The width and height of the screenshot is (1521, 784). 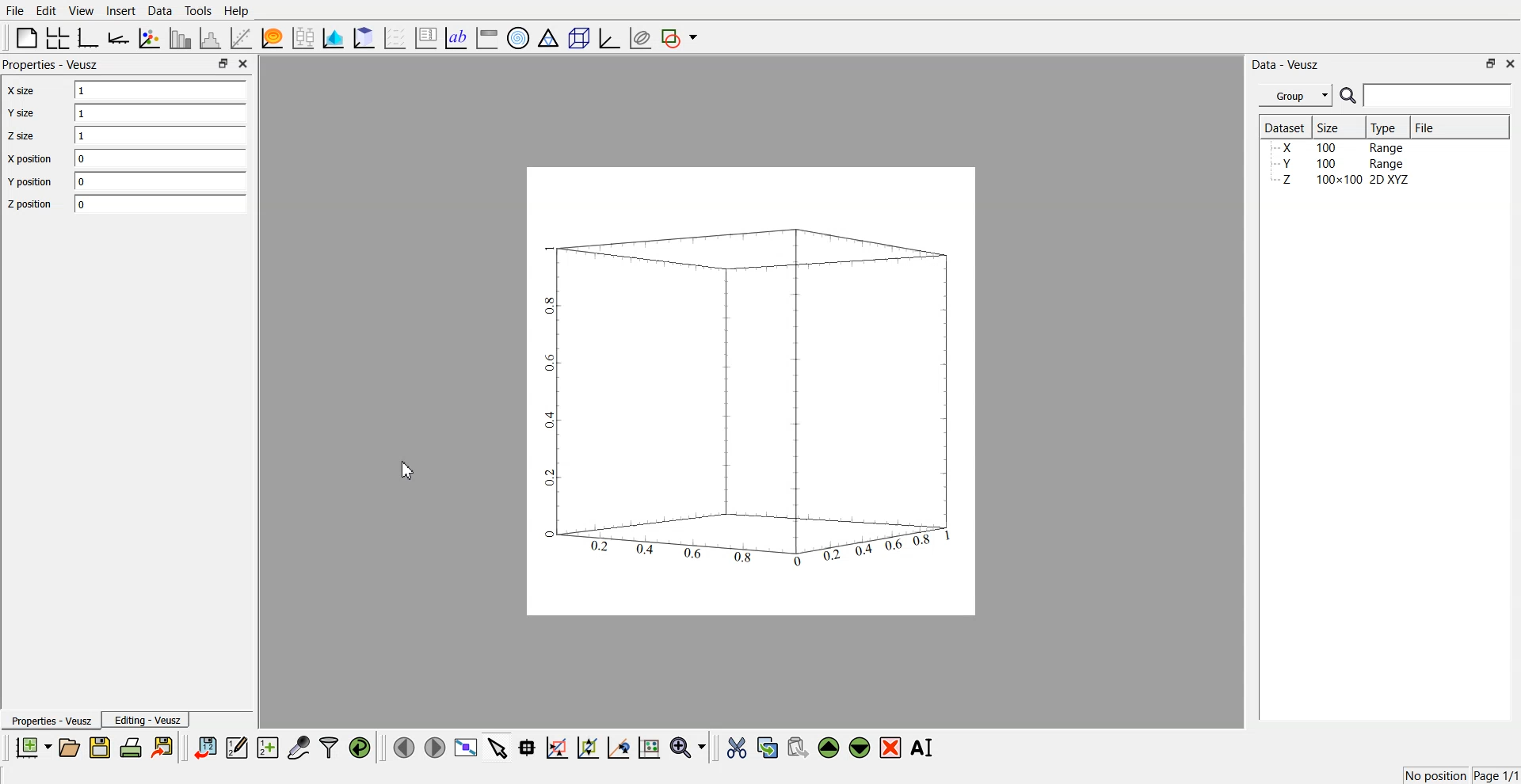 What do you see at coordinates (610, 38) in the screenshot?
I see `3D Graph` at bounding box center [610, 38].